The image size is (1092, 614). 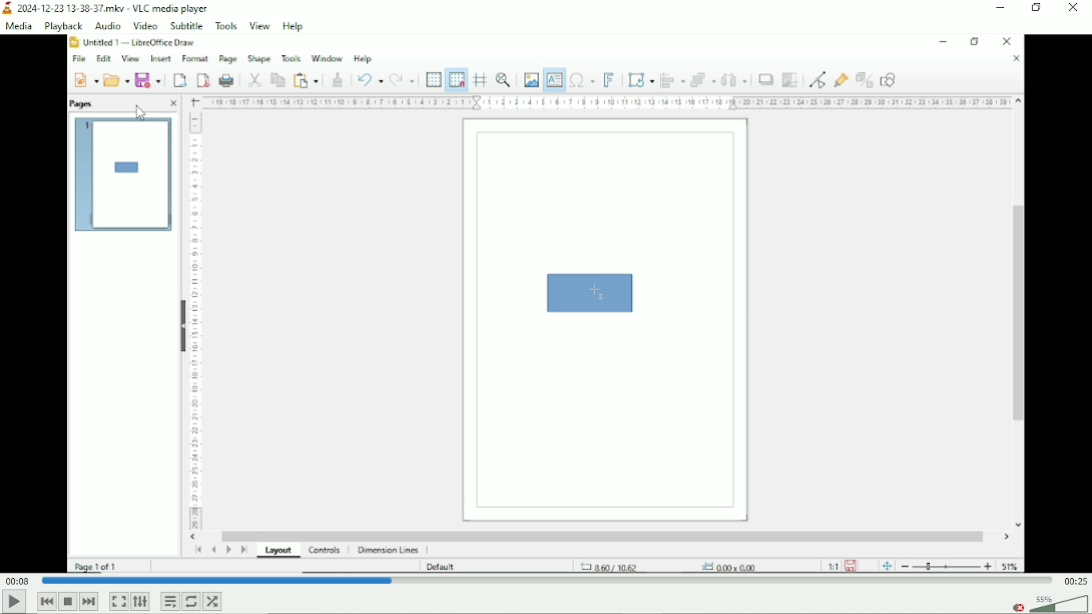 What do you see at coordinates (117, 7) in the screenshot?
I see `2024-12-23 13-38-37.mkv VLC media player` at bounding box center [117, 7].